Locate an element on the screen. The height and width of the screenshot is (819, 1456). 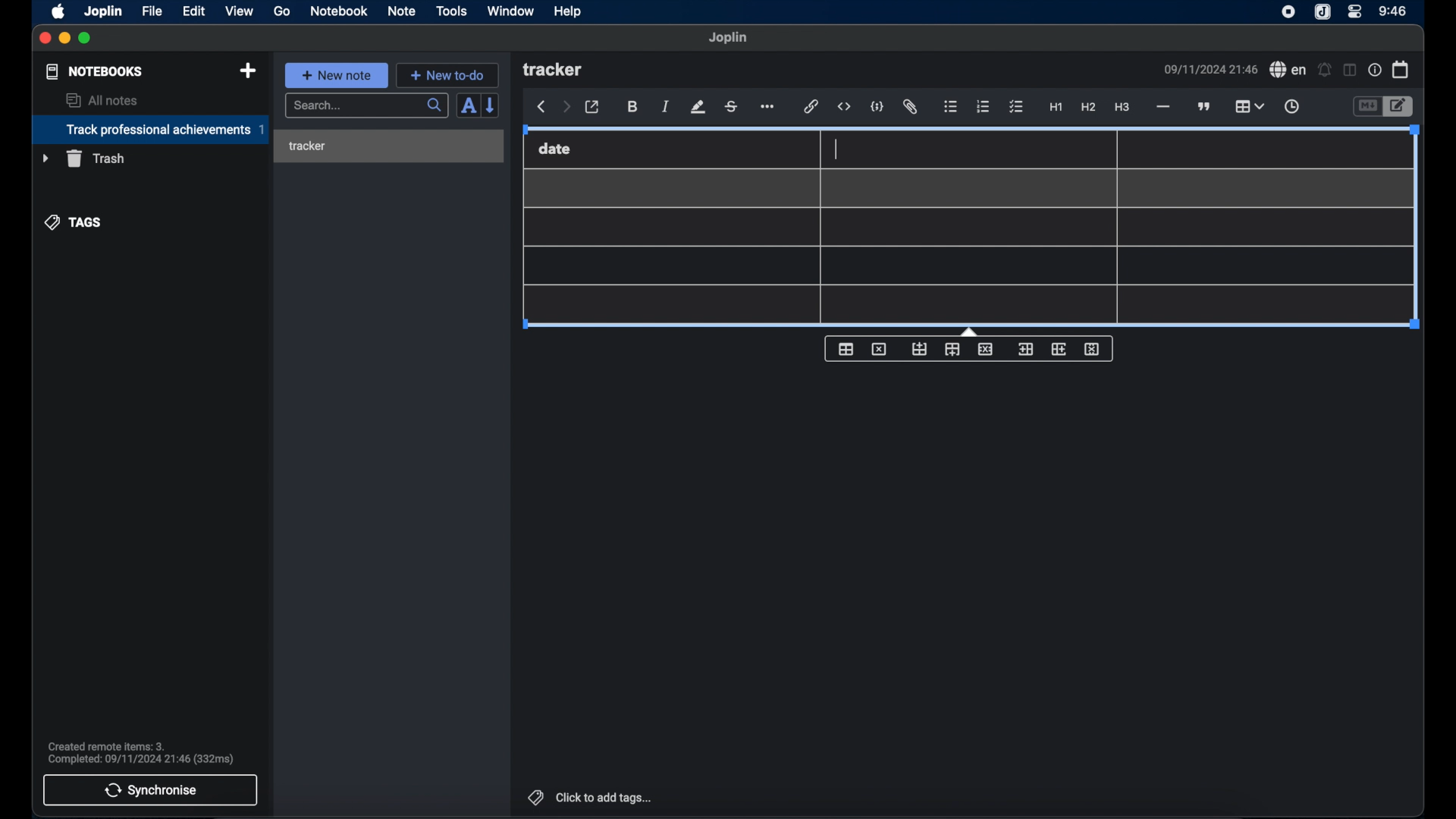
bold is located at coordinates (632, 107).